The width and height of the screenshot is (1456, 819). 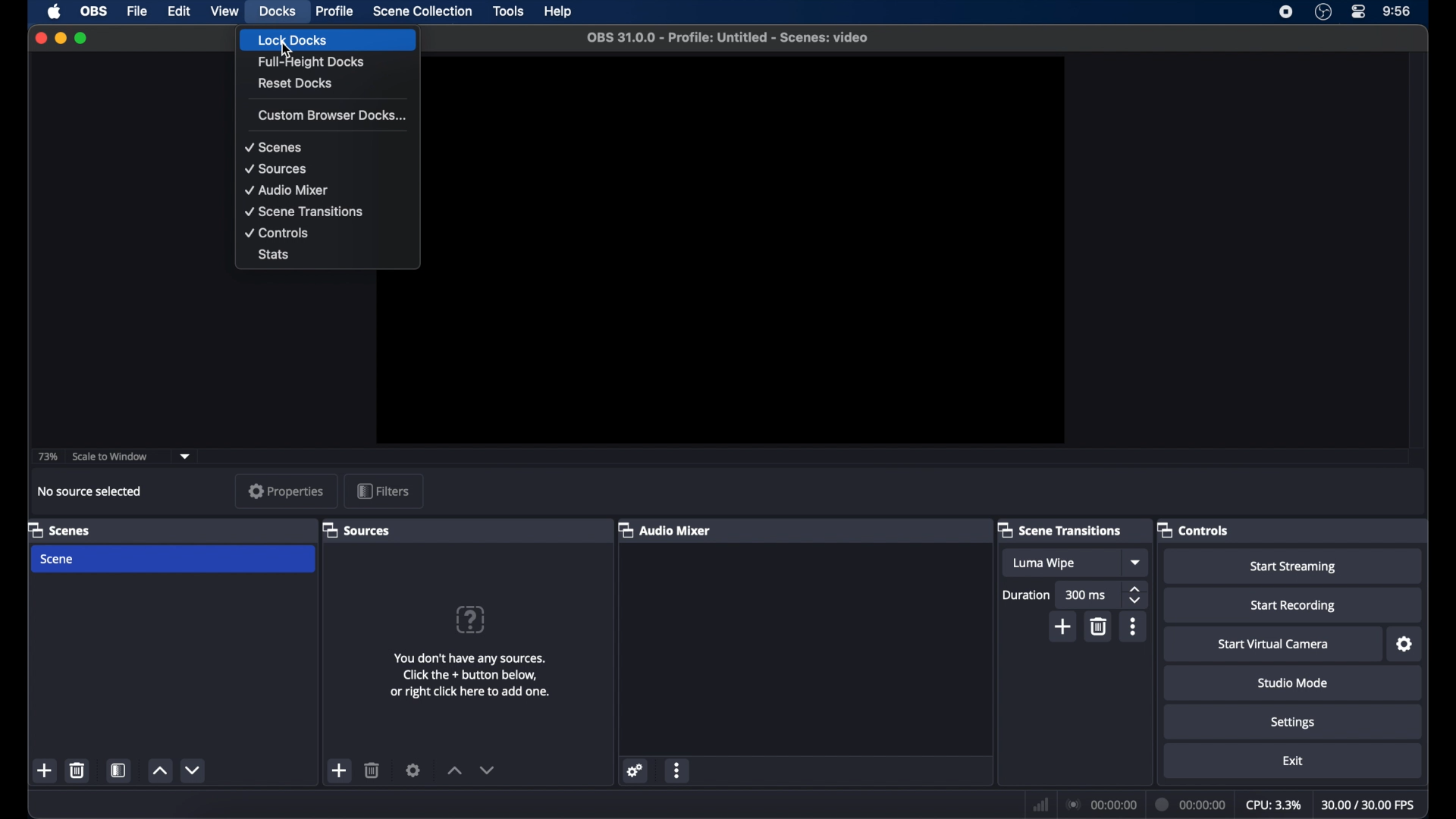 I want to click on duration, so click(x=1026, y=595).